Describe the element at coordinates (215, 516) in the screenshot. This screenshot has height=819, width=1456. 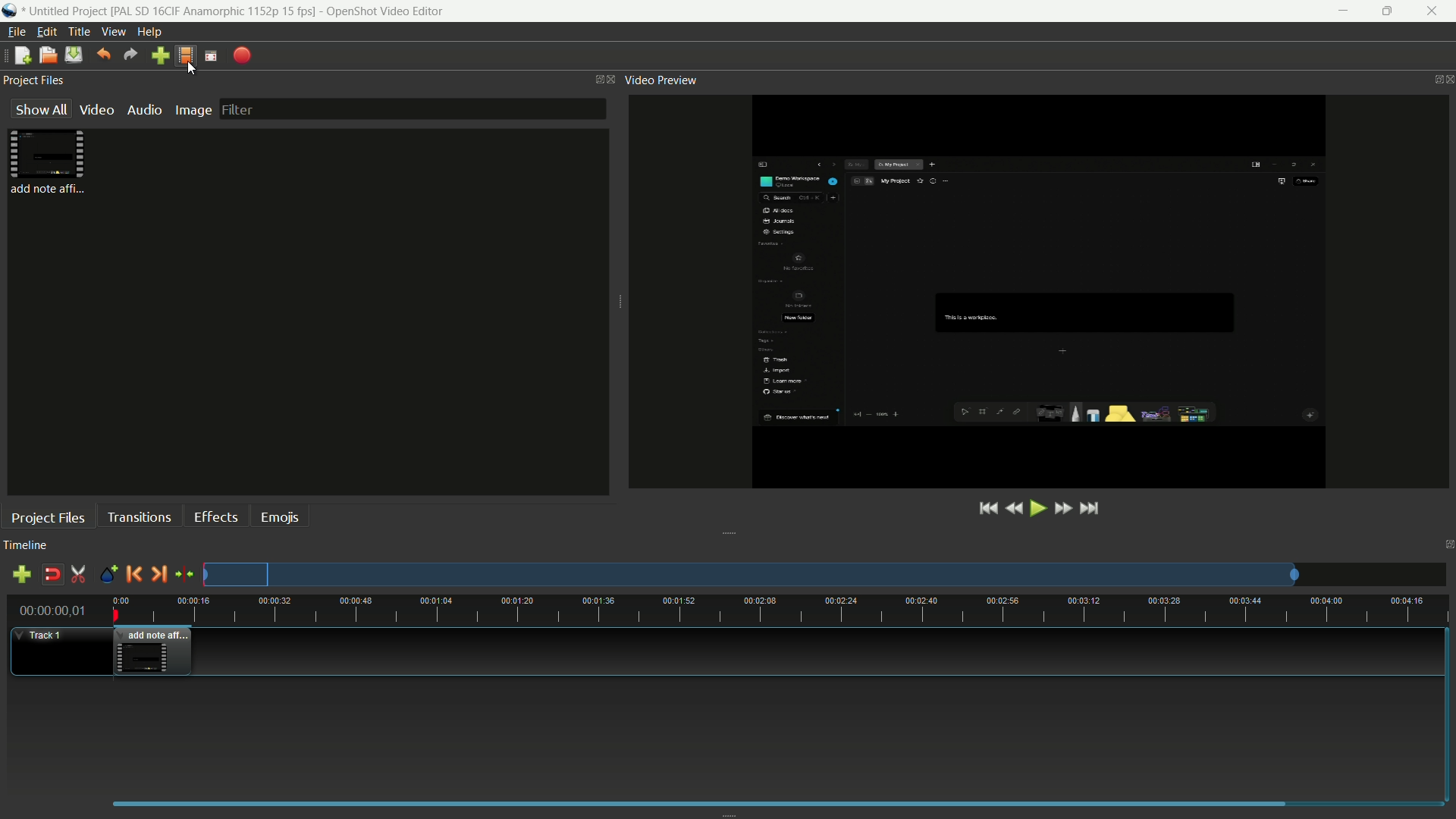
I see `effects` at that location.